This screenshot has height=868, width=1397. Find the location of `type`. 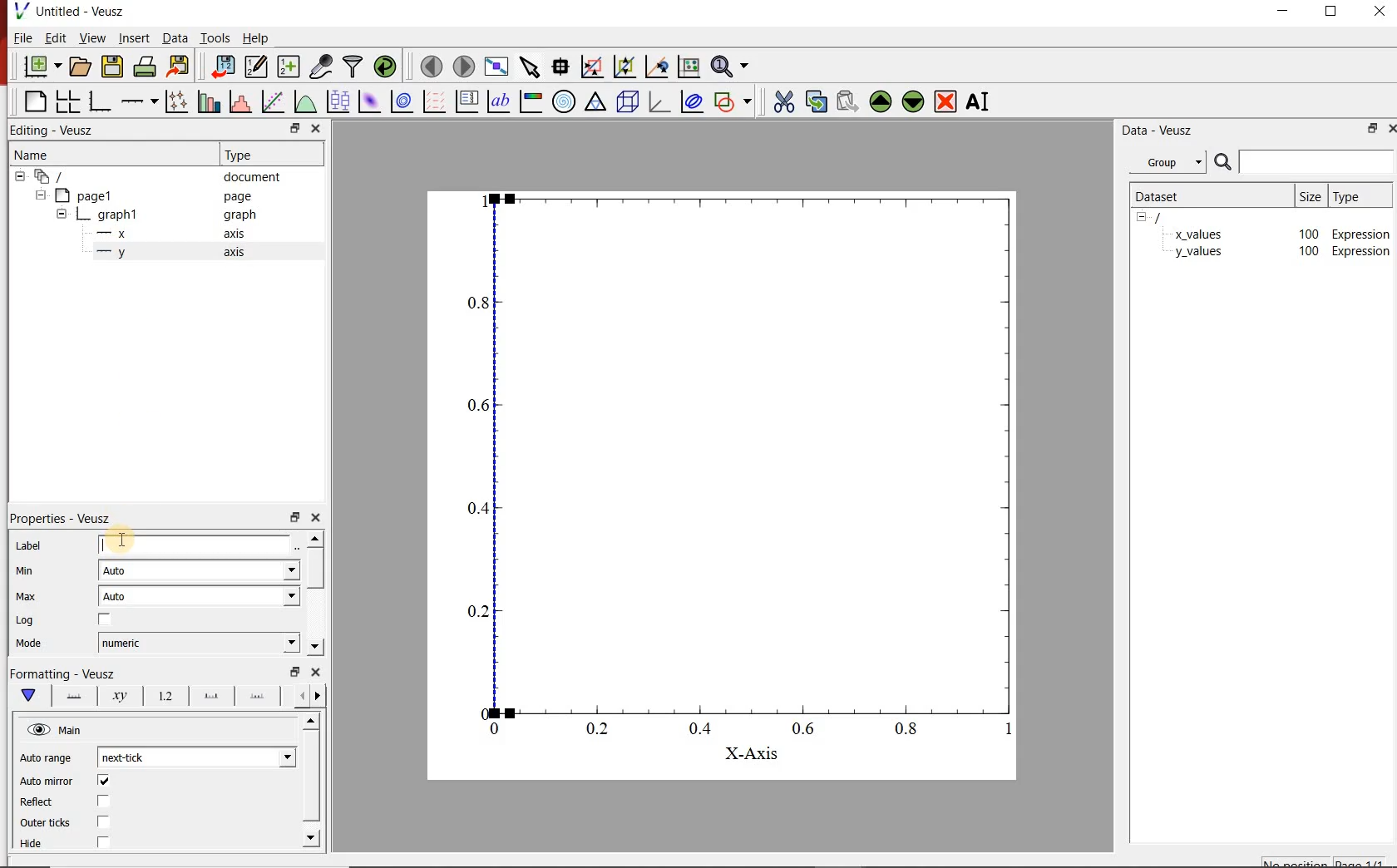

type is located at coordinates (1358, 197).